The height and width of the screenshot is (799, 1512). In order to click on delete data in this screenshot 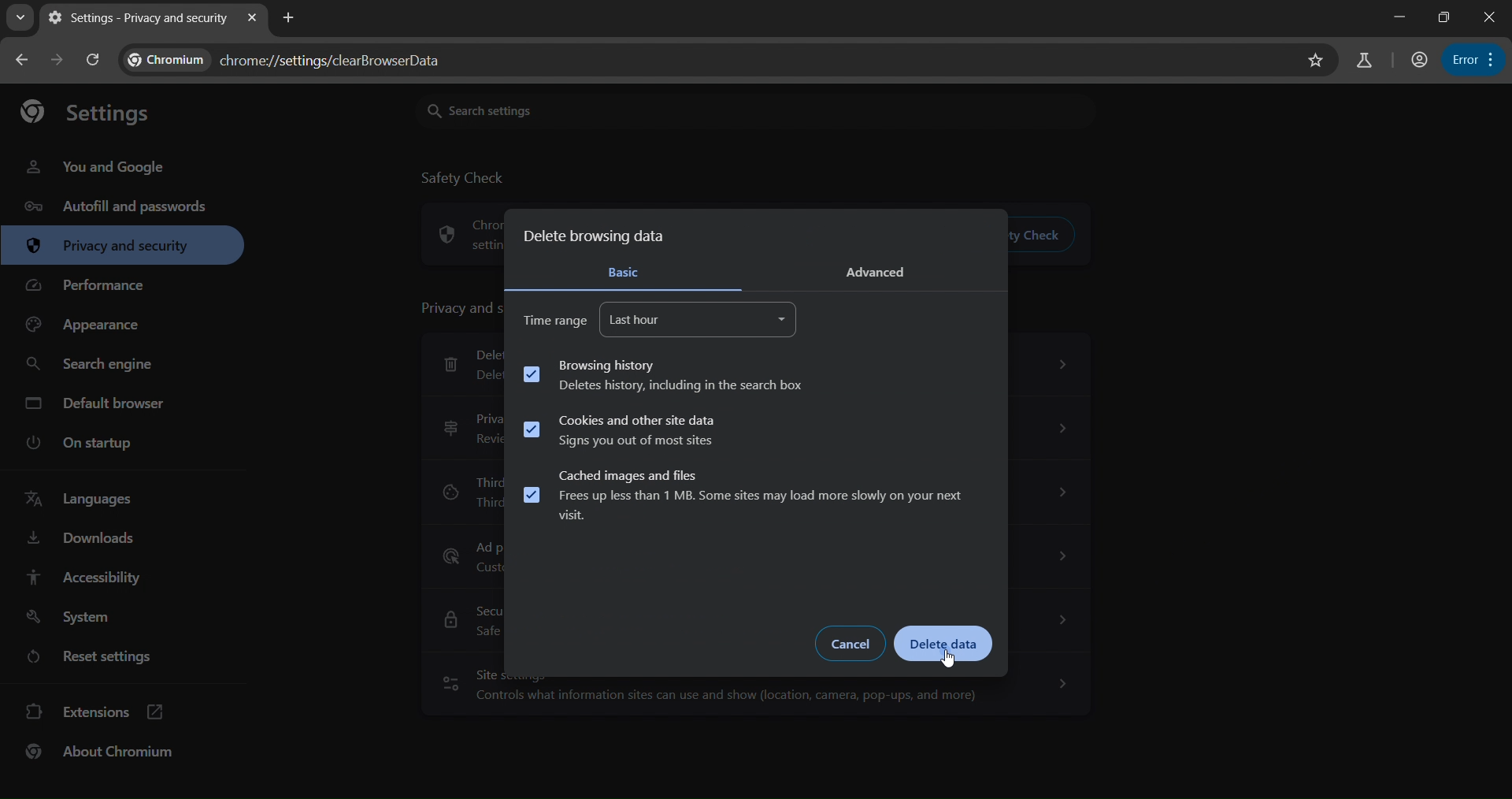, I will do `click(948, 645)`.